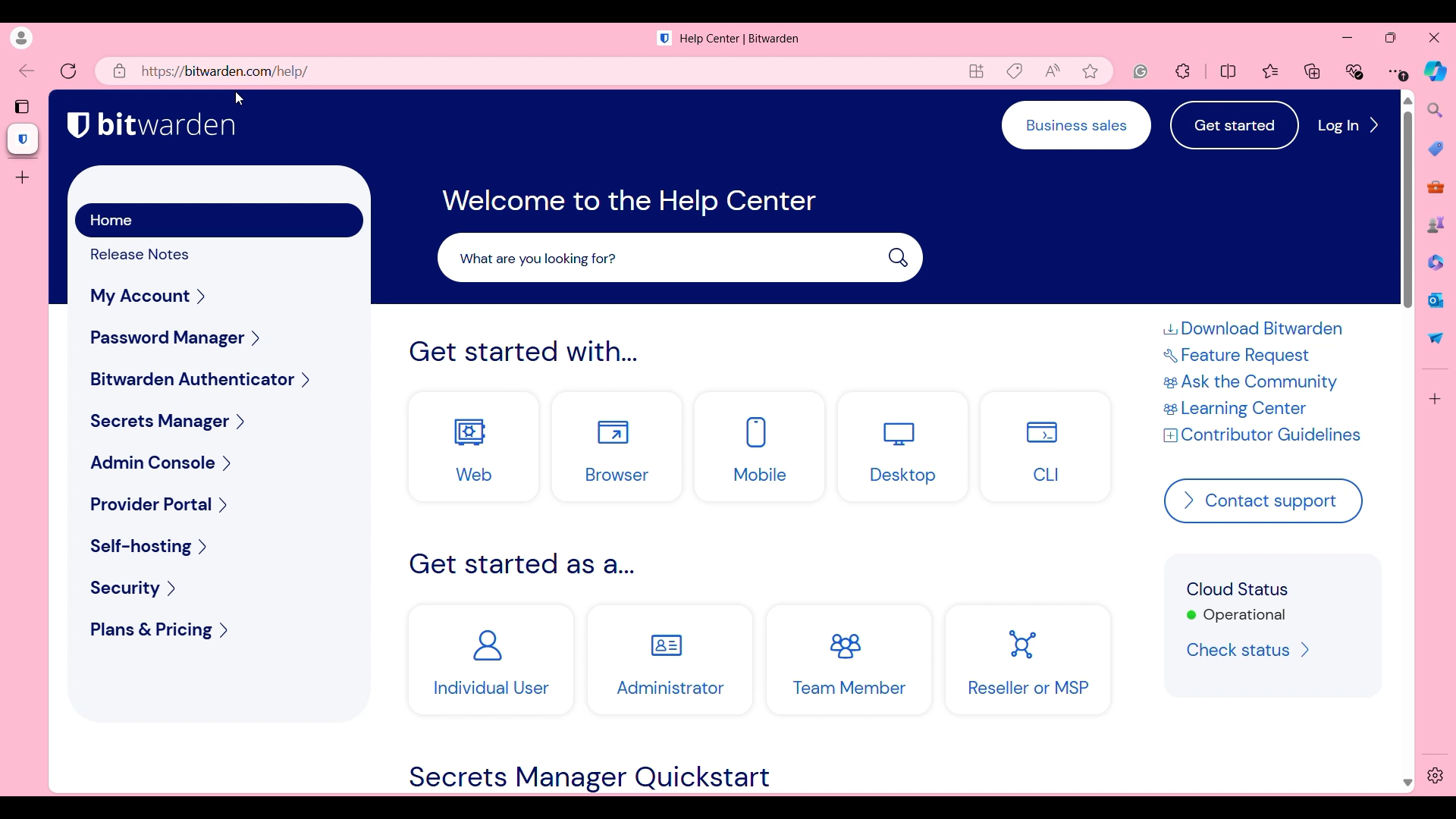  What do you see at coordinates (1248, 409) in the screenshot?
I see `Learning center` at bounding box center [1248, 409].